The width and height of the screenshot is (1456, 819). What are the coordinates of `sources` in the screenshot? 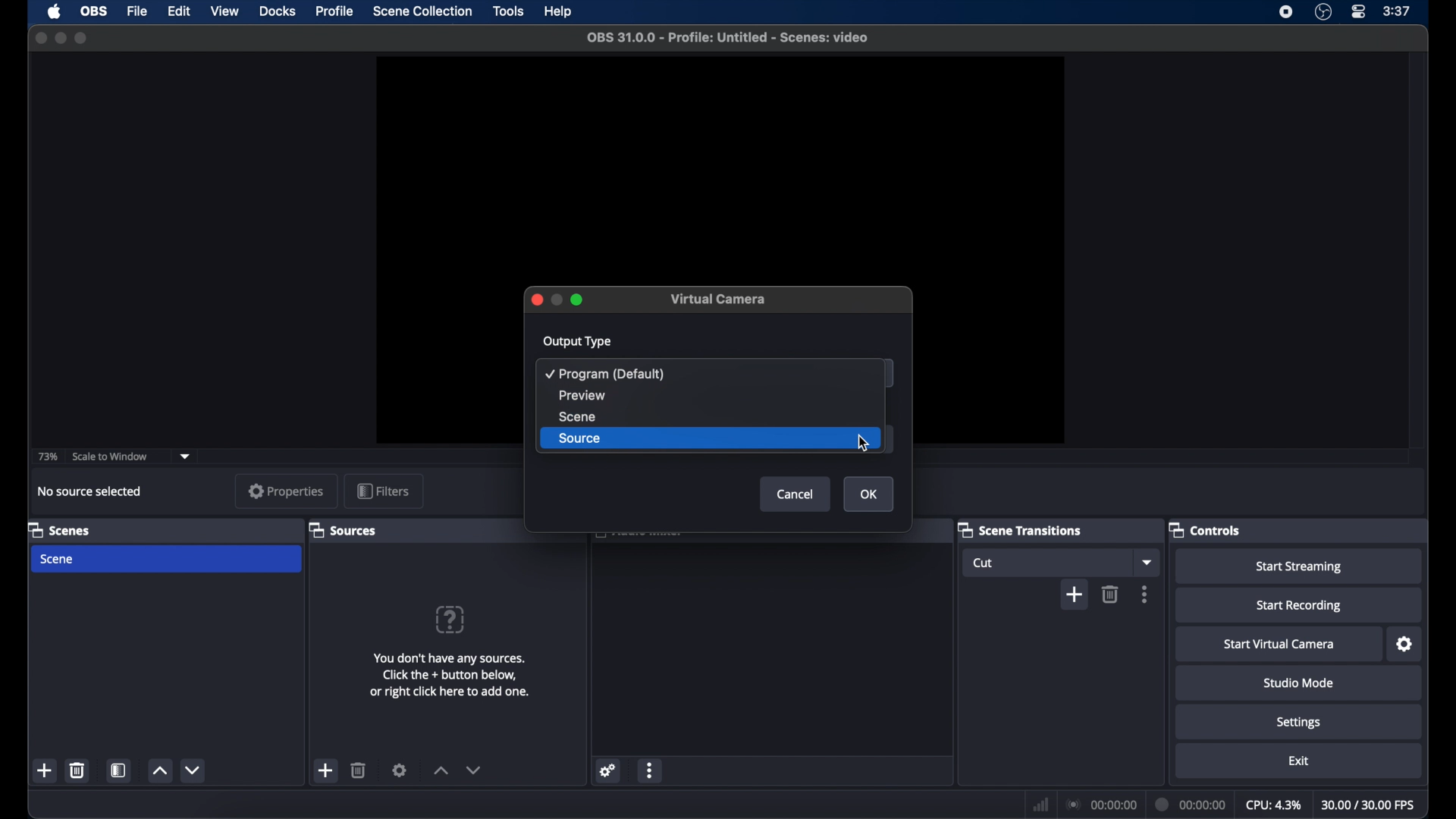 It's located at (342, 530).